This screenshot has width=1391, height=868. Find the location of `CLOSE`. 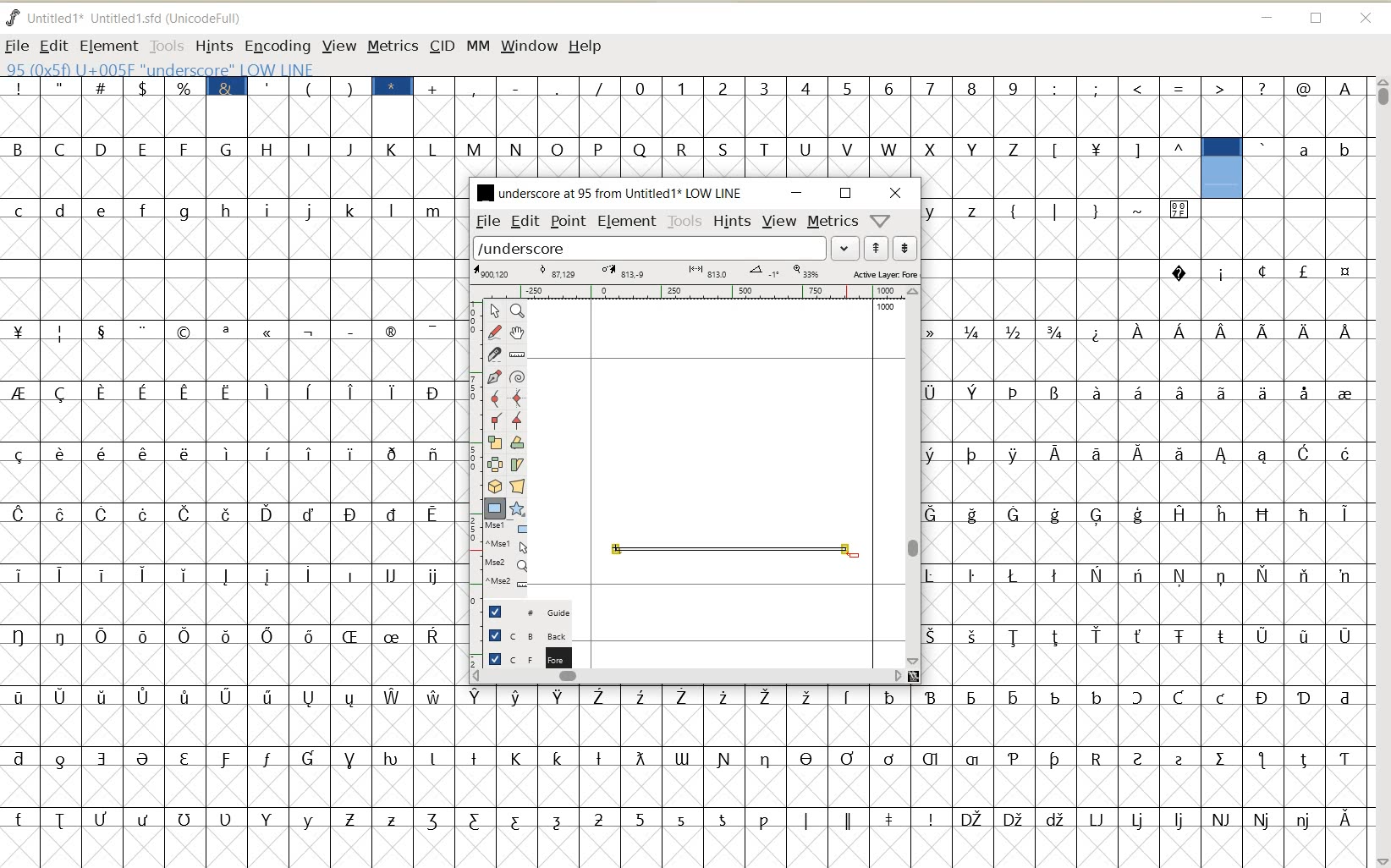

CLOSE is located at coordinates (1367, 19).